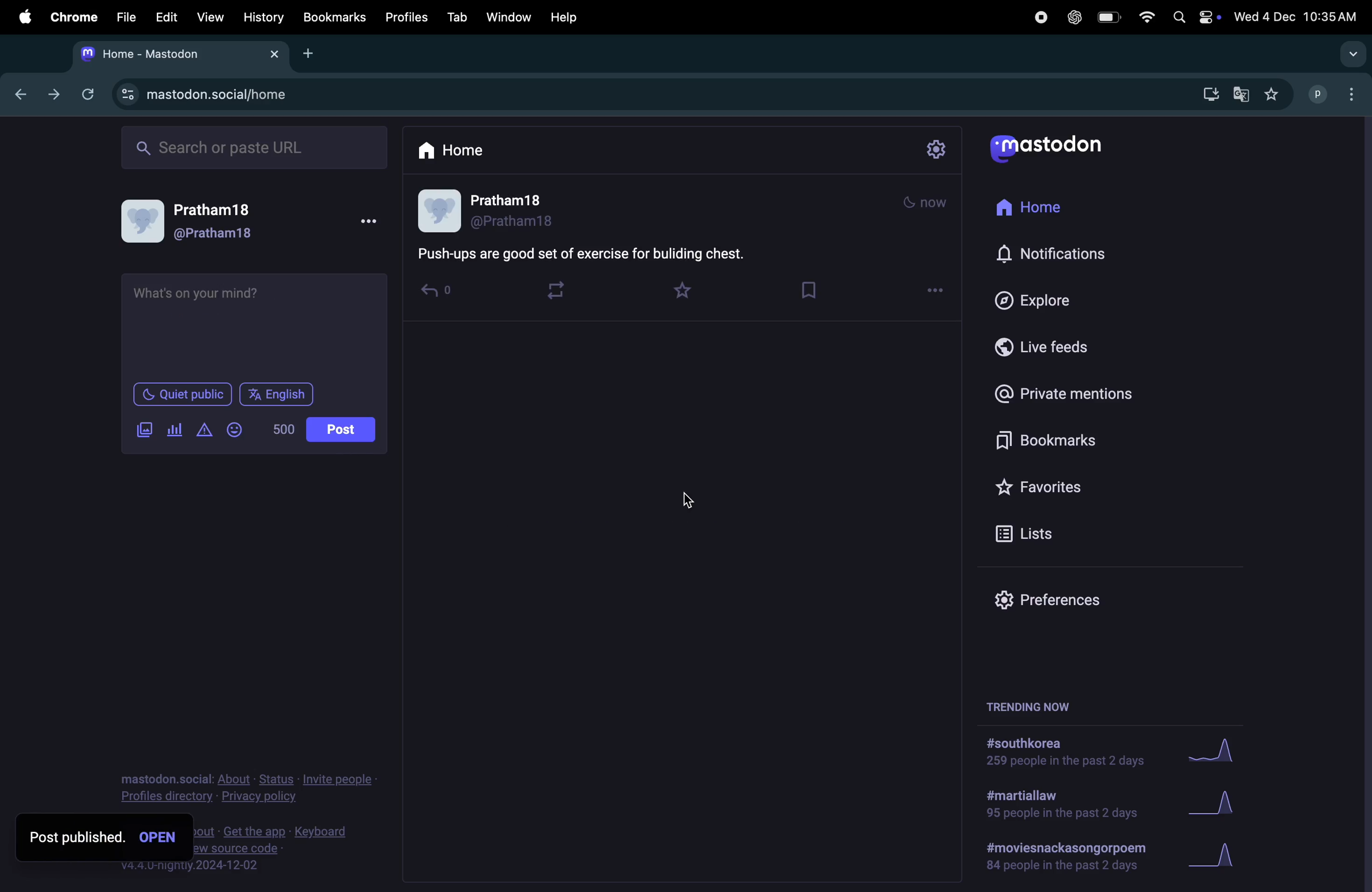 This screenshot has width=1372, height=892. I want to click on bookmarks, so click(1039, 439).